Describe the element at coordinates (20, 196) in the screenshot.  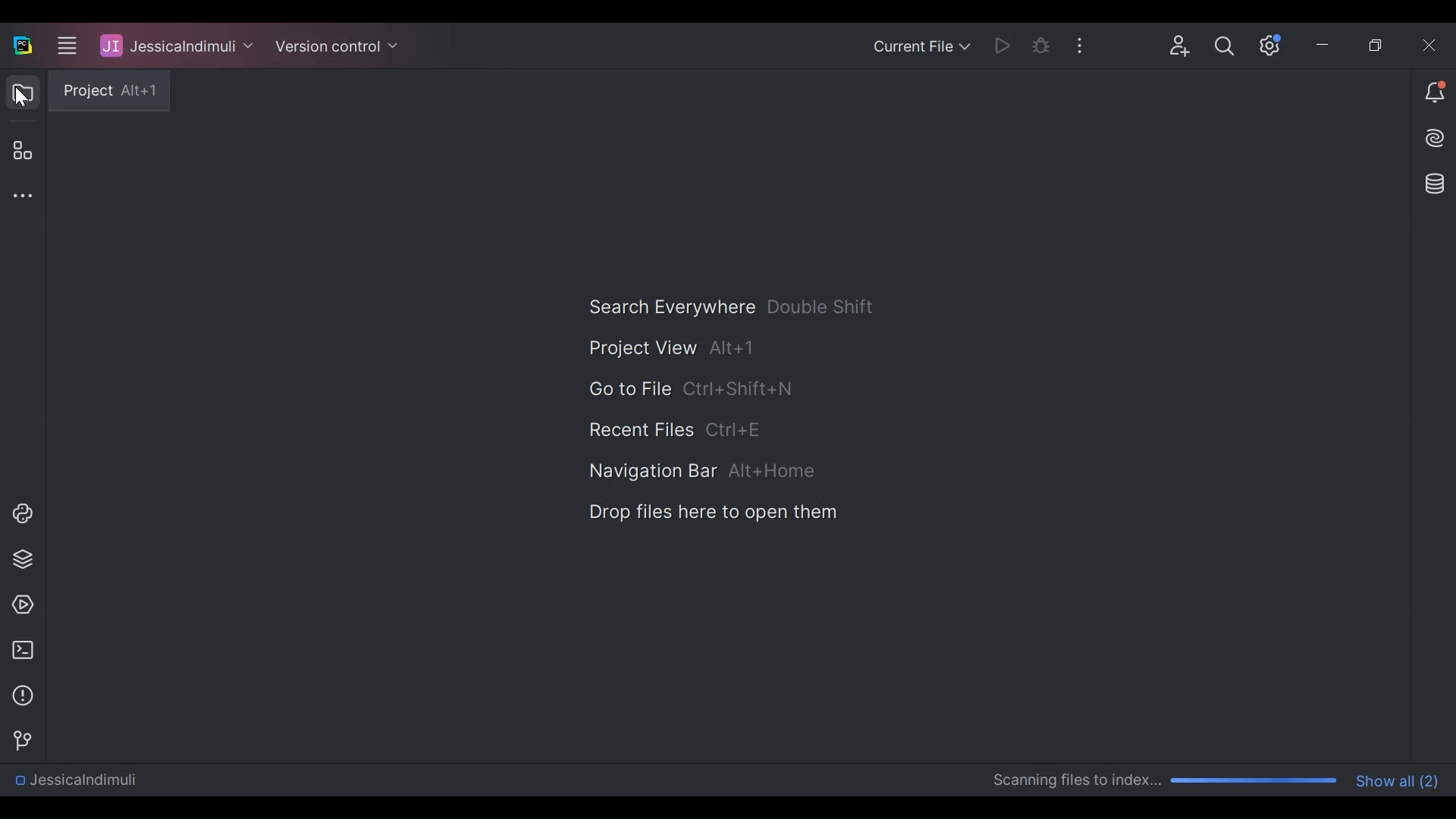
I see `More tool window` at that location.